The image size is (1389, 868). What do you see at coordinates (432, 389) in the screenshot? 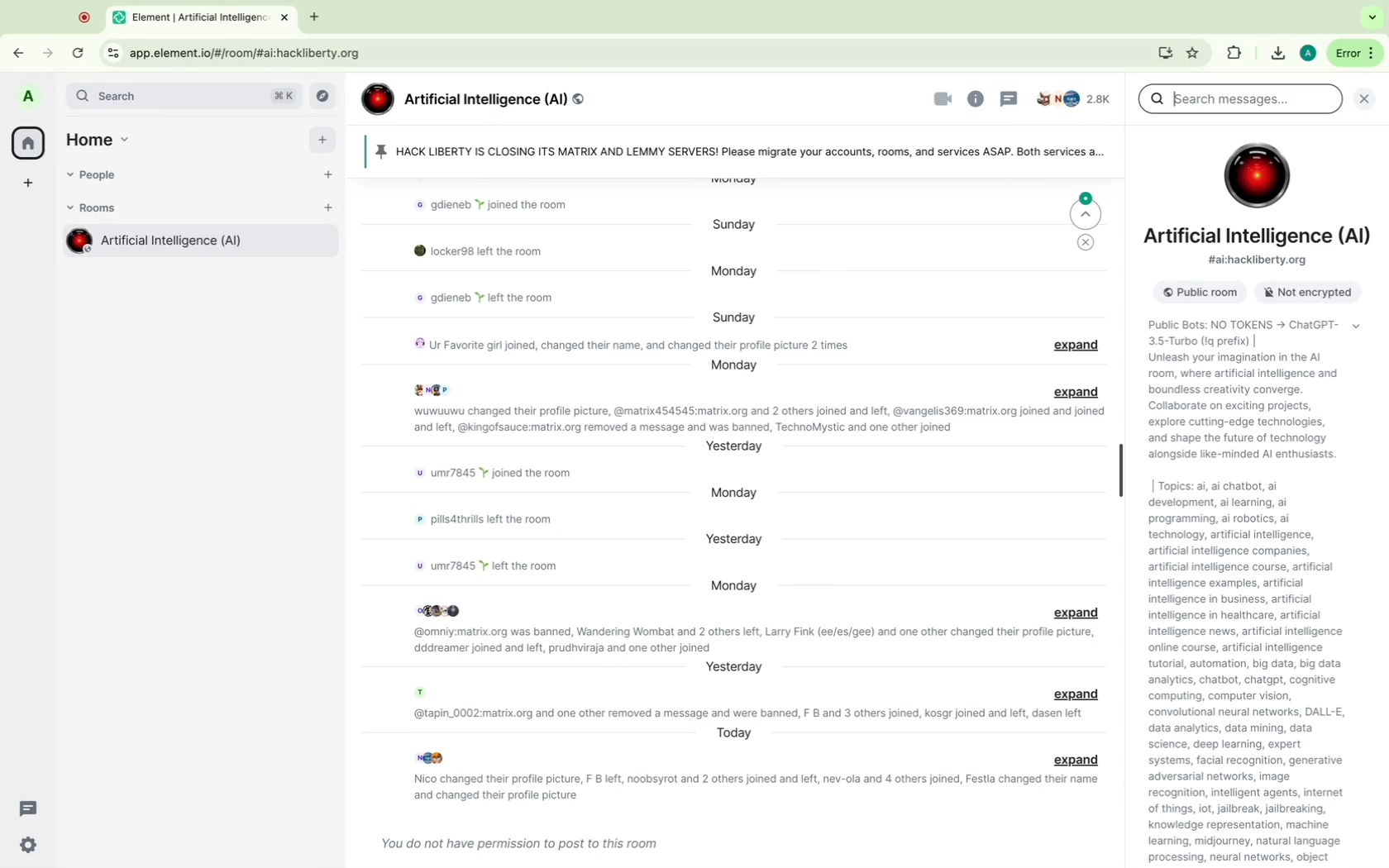
I see `profile pictures` at bounding box center [432, 389].